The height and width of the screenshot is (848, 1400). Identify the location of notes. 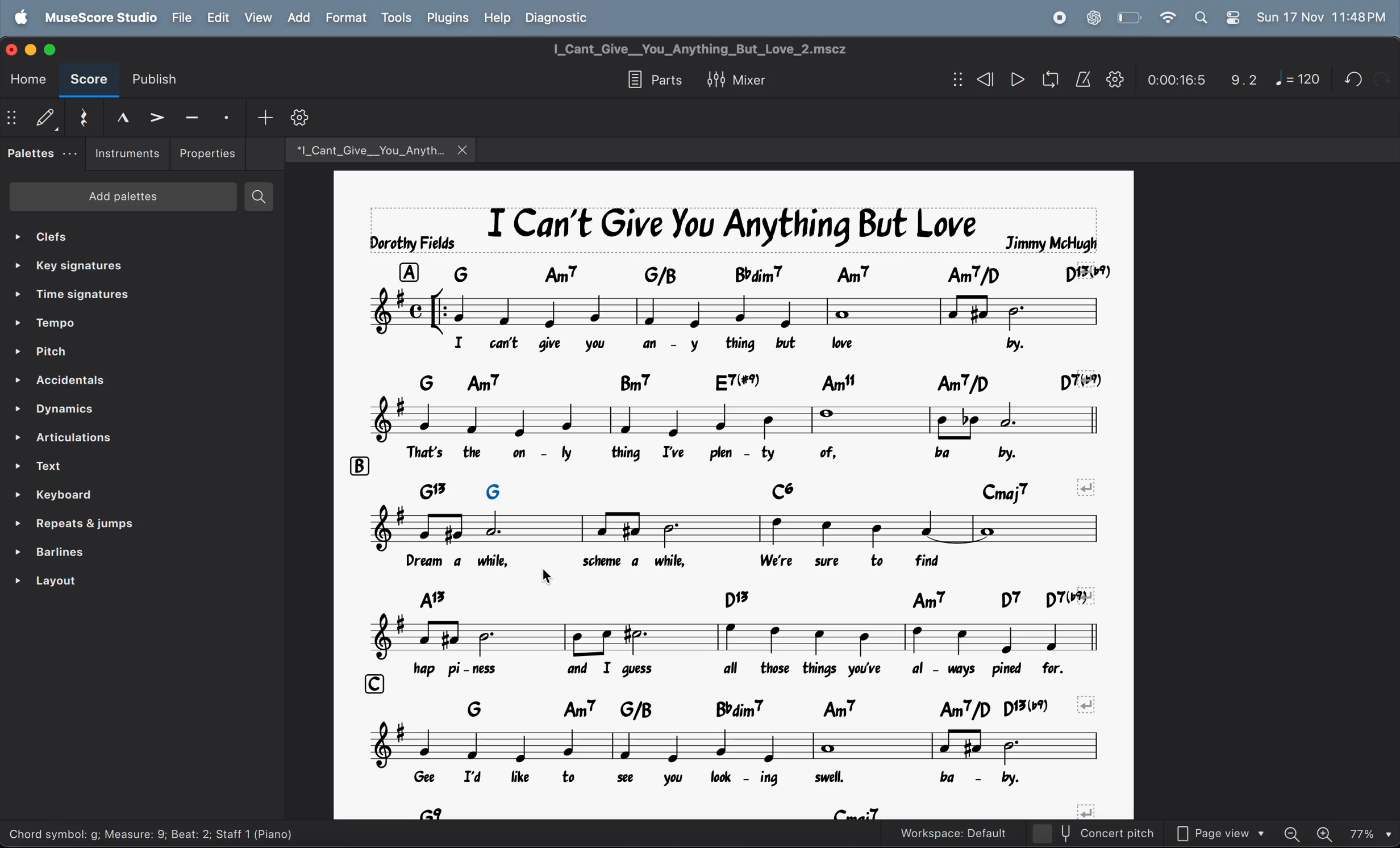
(735, 421).